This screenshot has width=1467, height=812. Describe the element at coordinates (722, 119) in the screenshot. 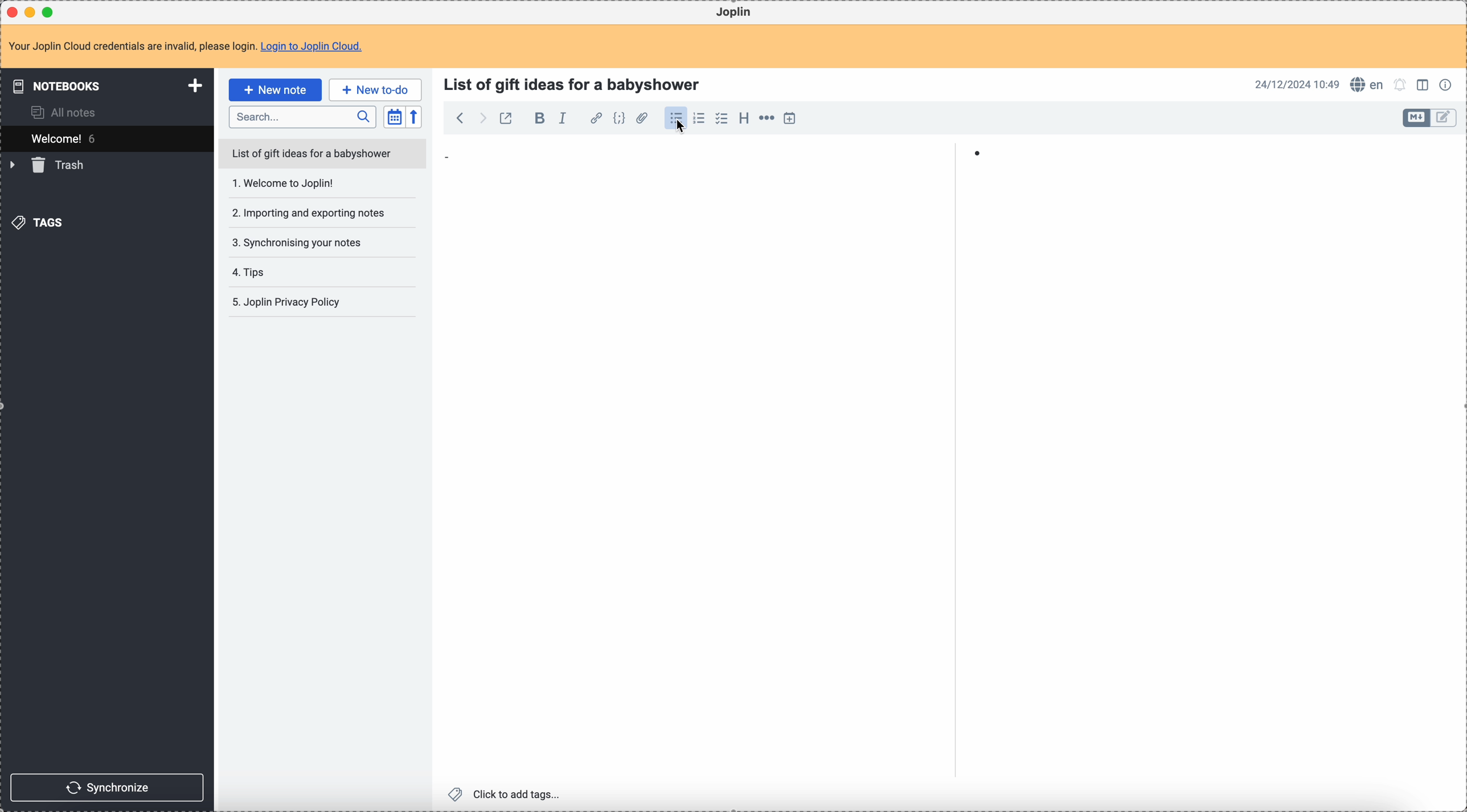

I see `checklist` at that location.